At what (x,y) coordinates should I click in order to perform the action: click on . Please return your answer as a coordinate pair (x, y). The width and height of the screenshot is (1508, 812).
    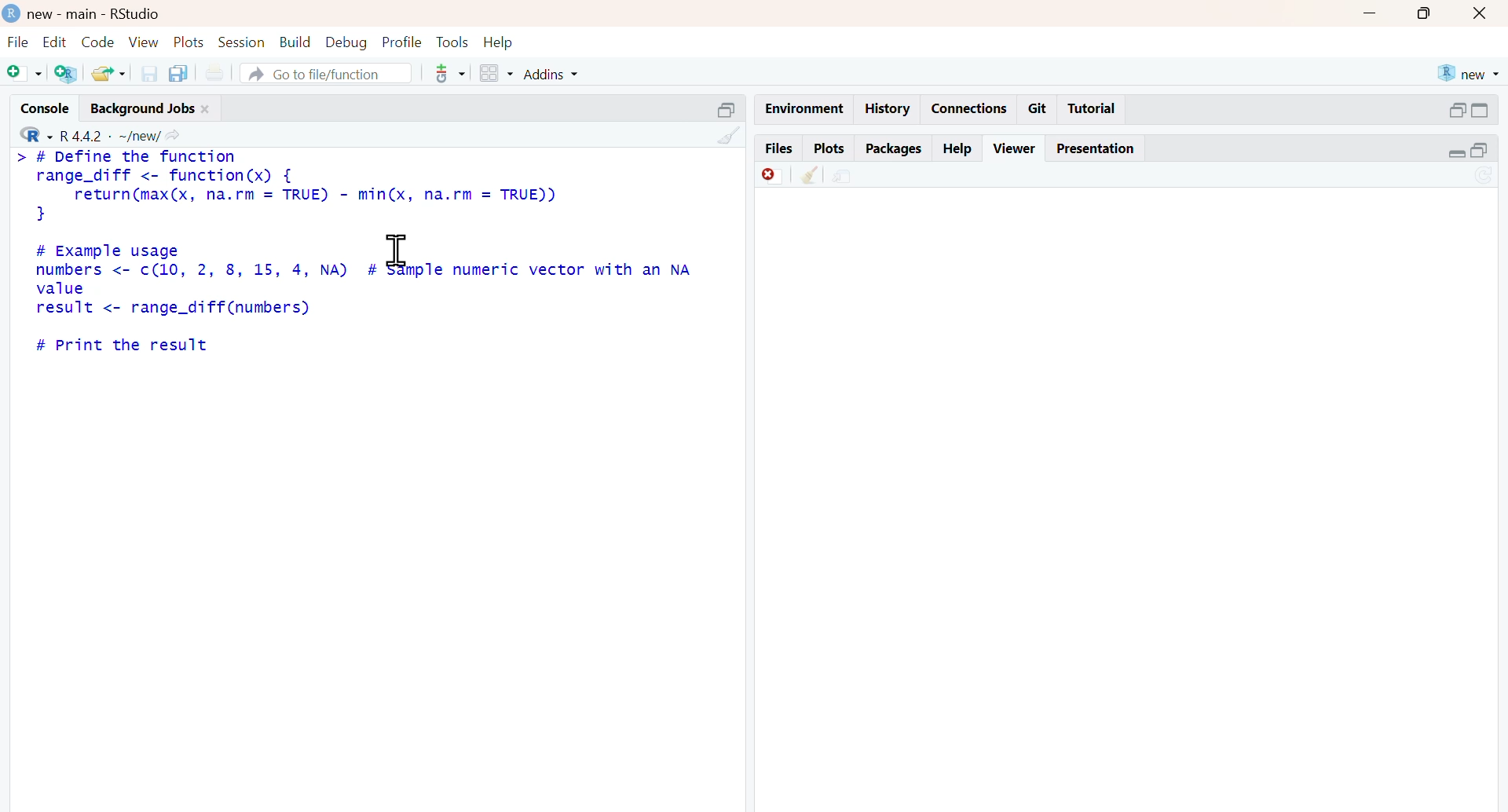
    Looking at the image, I should click on (1481, 13).